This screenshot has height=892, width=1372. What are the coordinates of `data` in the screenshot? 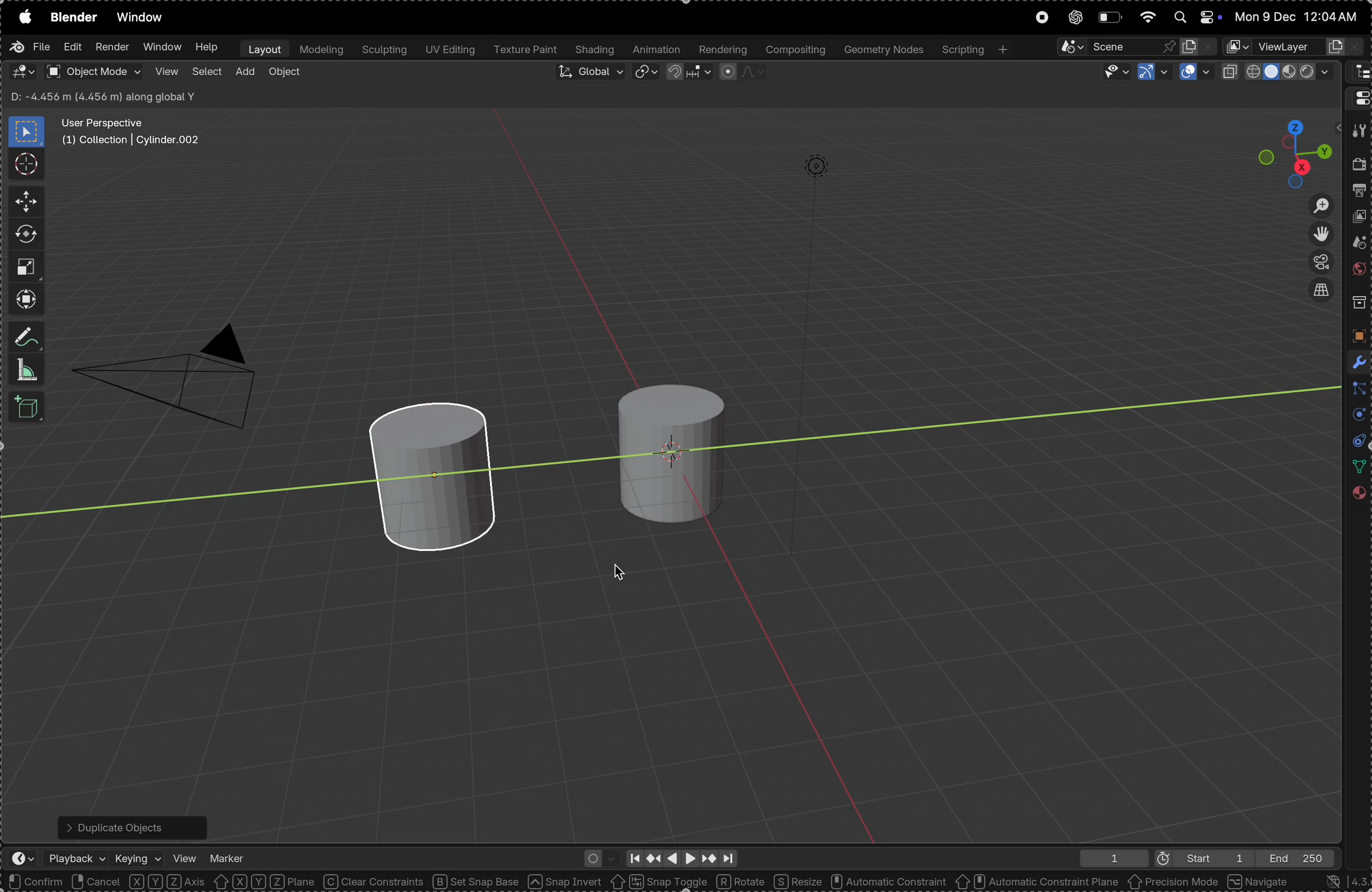 It's located at (1356, 467).